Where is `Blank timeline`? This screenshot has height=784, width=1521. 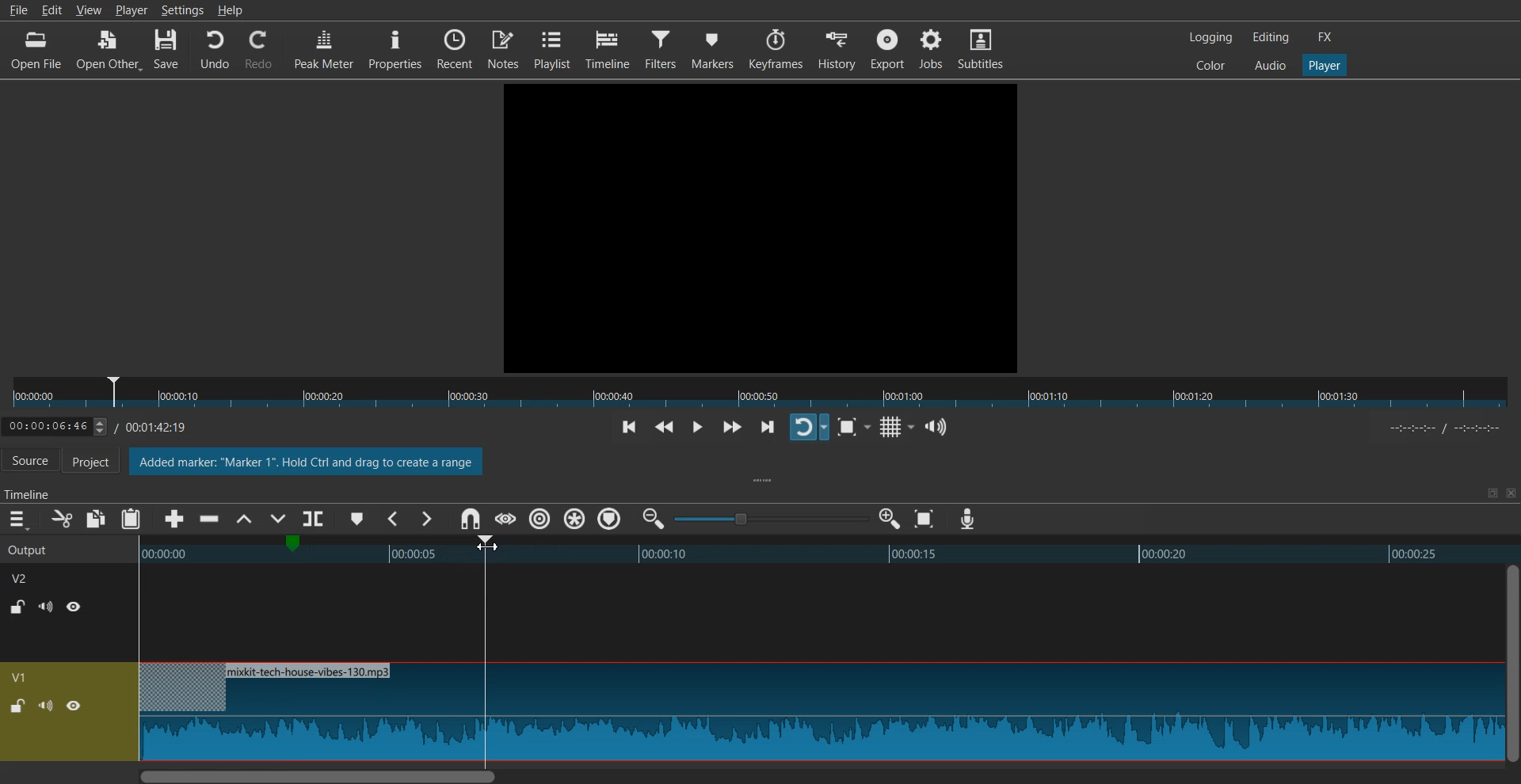 Blank timeline is located at coordinates (818, 613).